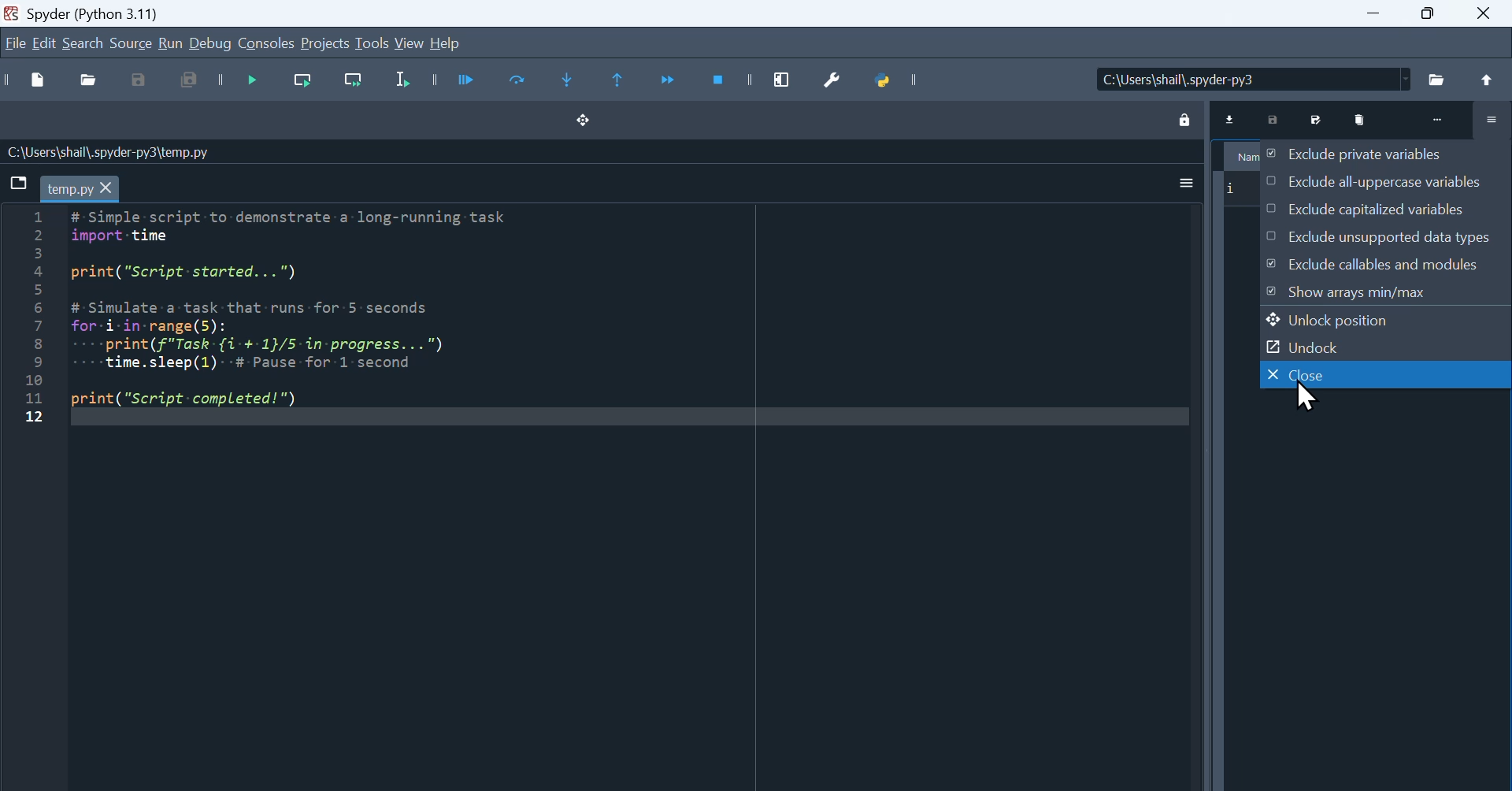  What do you see at coordinates (782, 82) in the screenshot?
I see `maximize current window` at bounding box center [782, 82].